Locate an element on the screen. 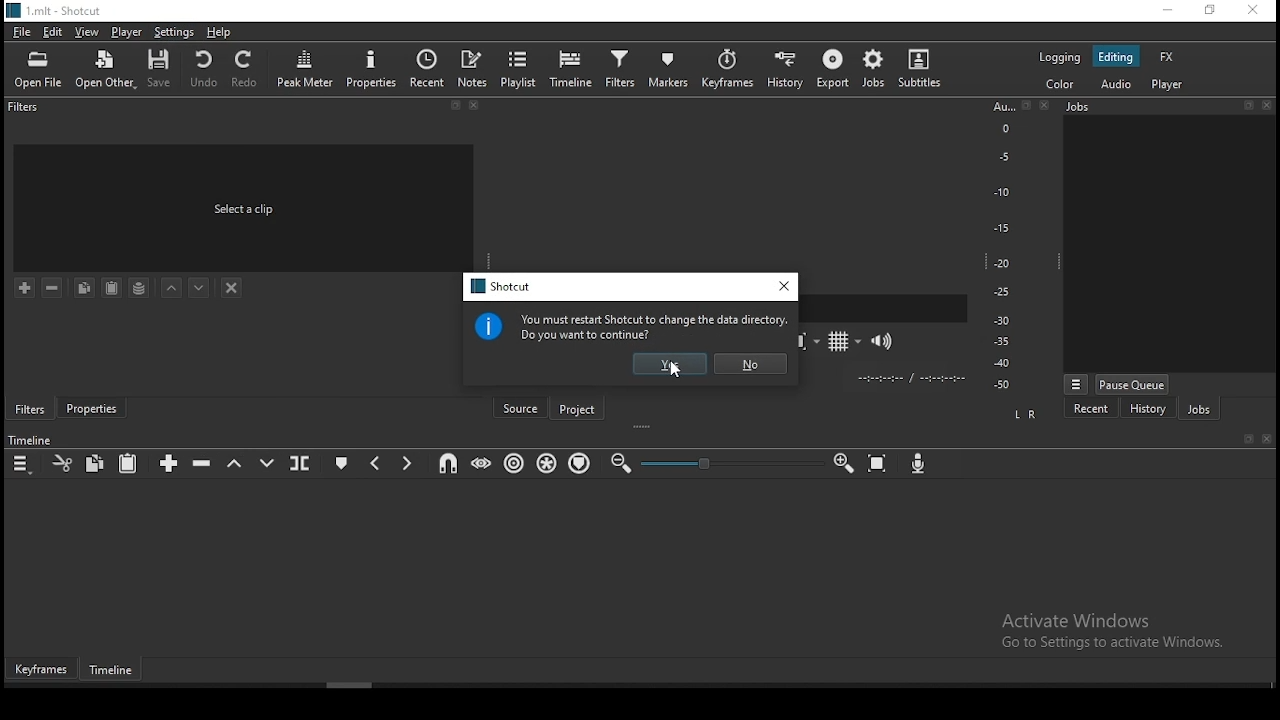 Image resolution: width=1280 pixels, height=720 pixels. minimize is located at coordinates (1163, 10).